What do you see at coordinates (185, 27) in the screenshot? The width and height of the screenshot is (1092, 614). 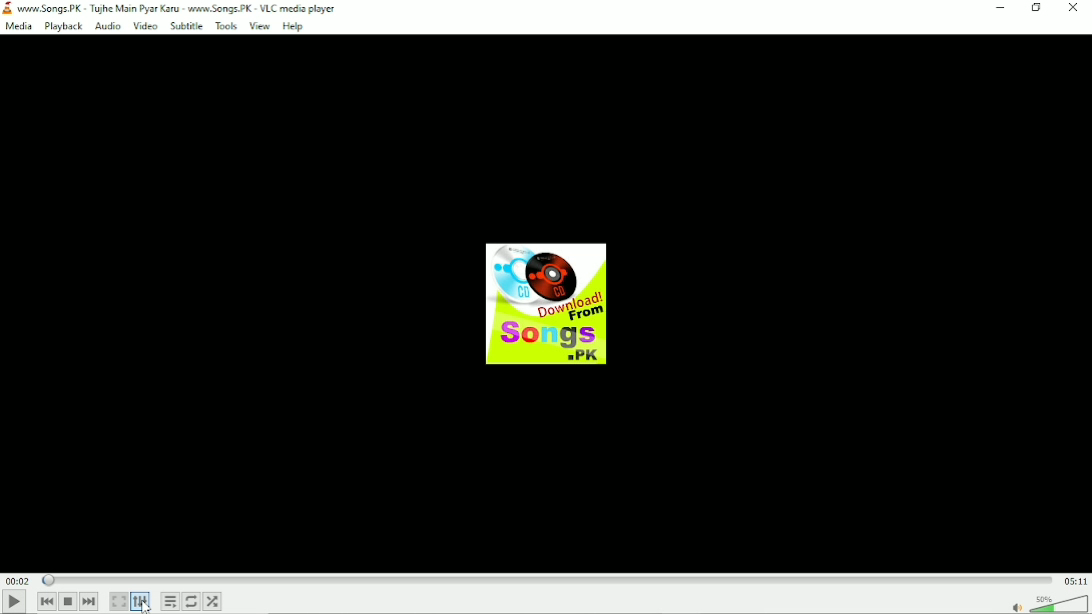 I see `Subtitle` at bounding box center [185, 27].